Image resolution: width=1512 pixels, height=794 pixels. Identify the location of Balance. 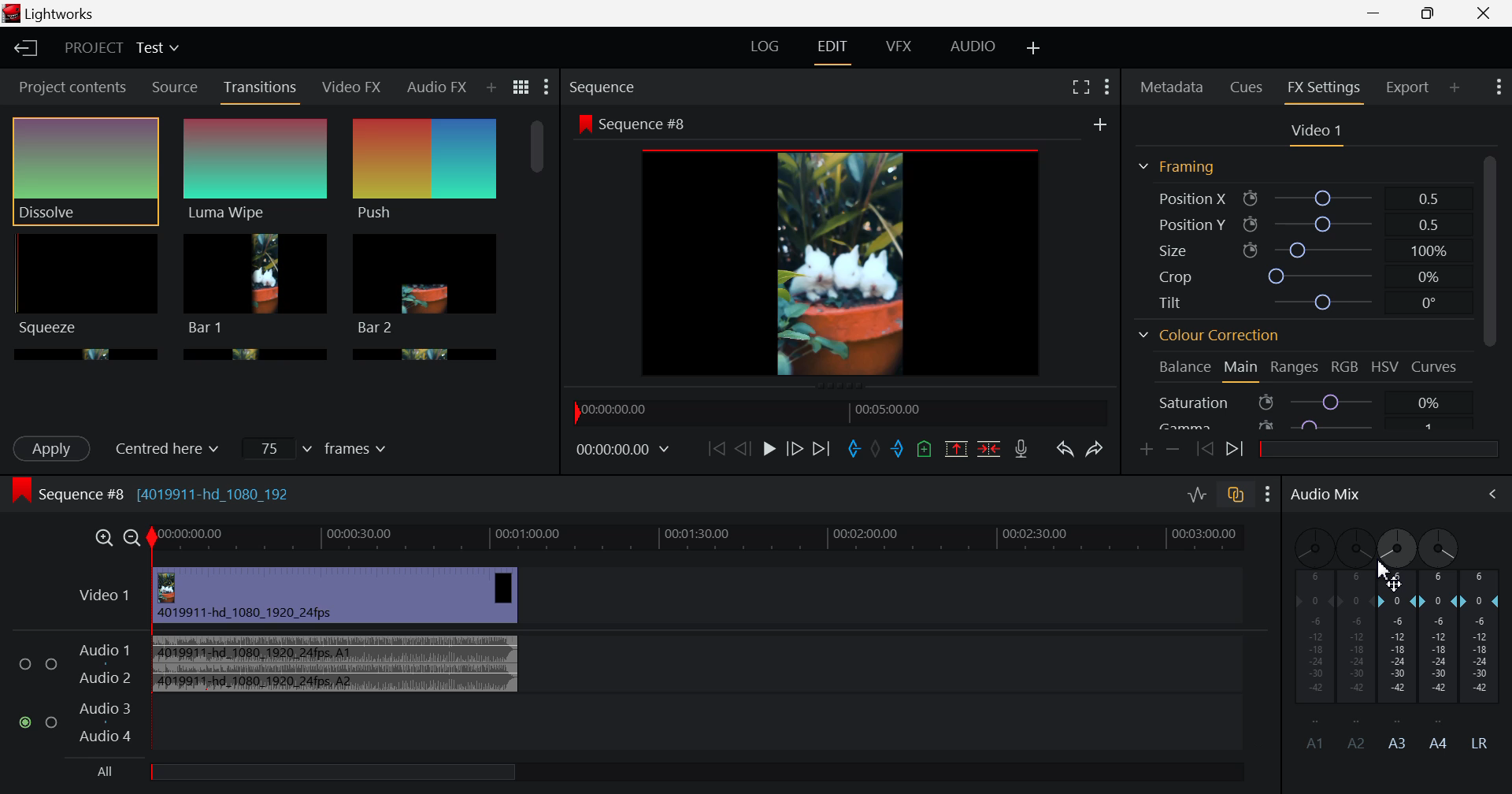
(1183, 368).